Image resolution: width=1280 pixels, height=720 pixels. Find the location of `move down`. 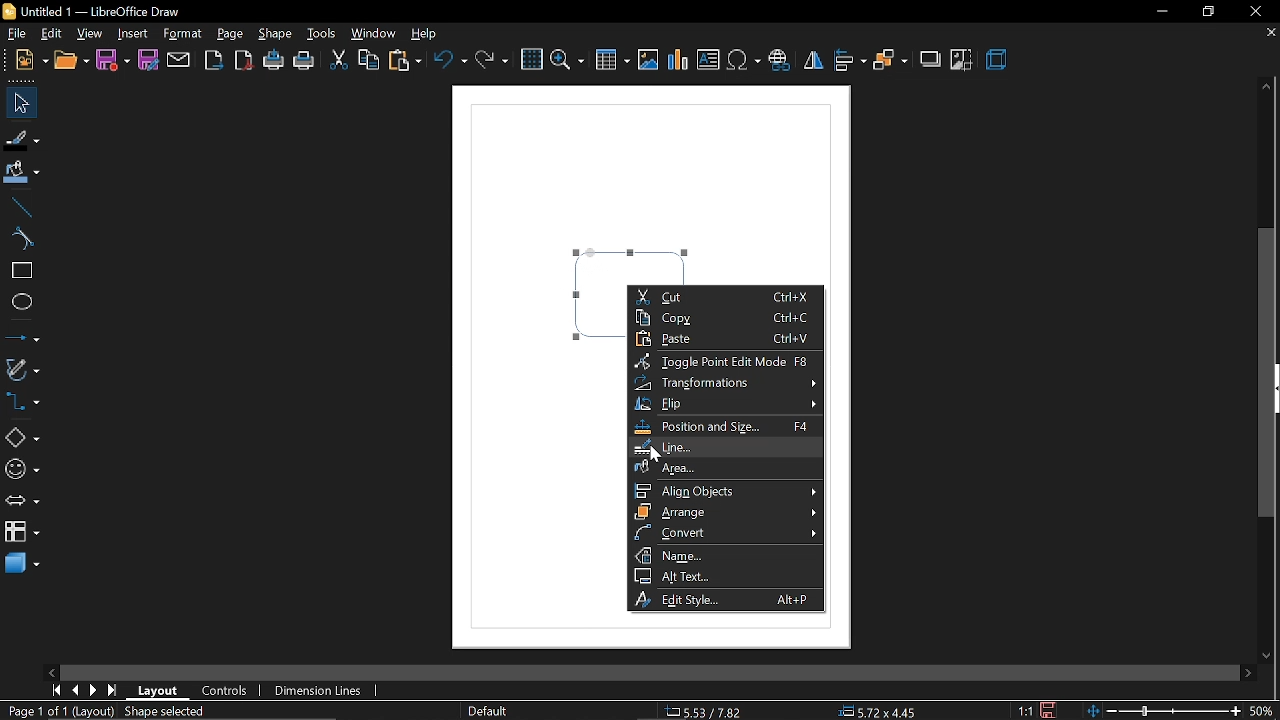

move down is located at coordinates (1270, 657).